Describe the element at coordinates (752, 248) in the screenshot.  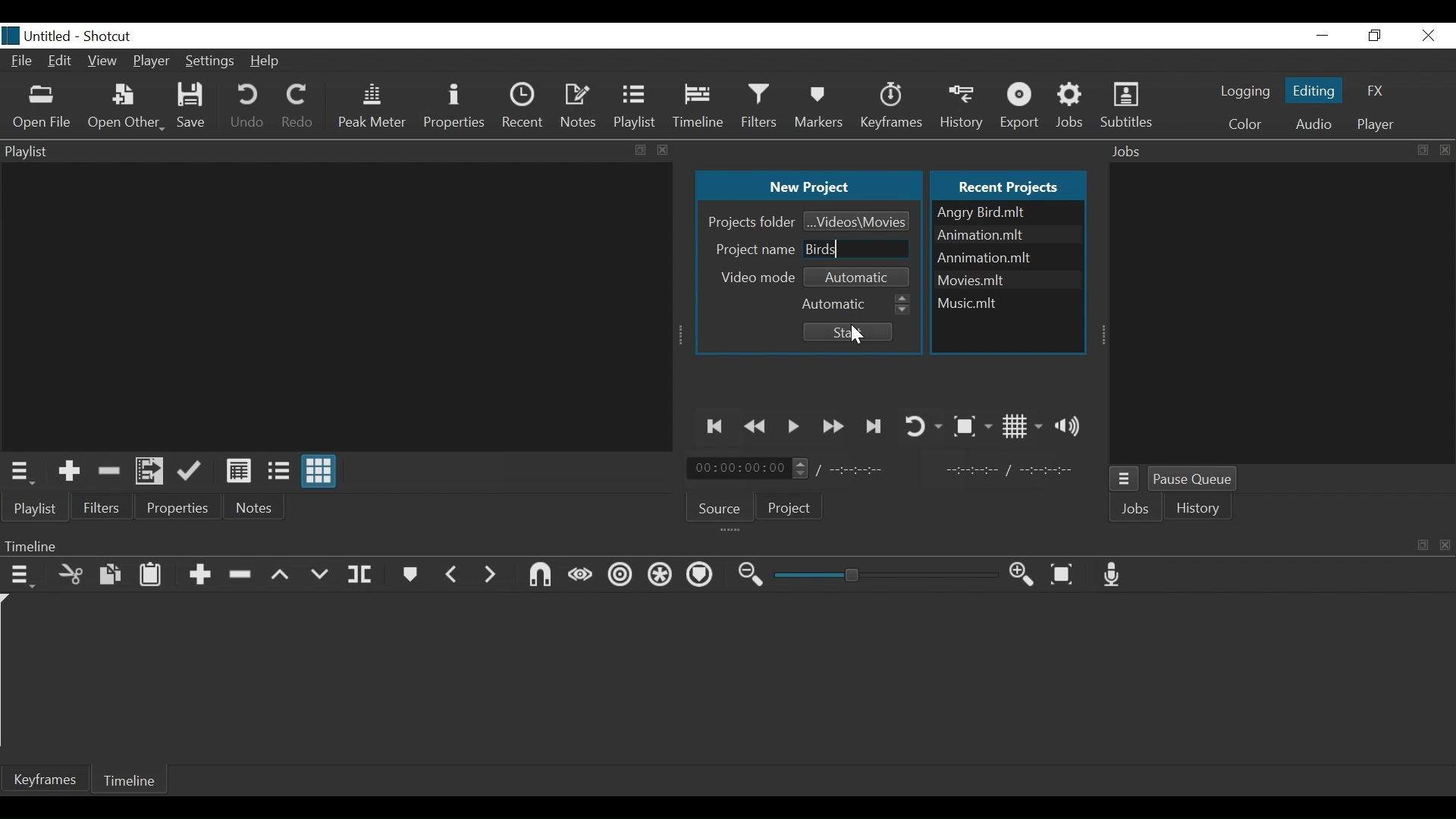
I see `Project Name` at that location.